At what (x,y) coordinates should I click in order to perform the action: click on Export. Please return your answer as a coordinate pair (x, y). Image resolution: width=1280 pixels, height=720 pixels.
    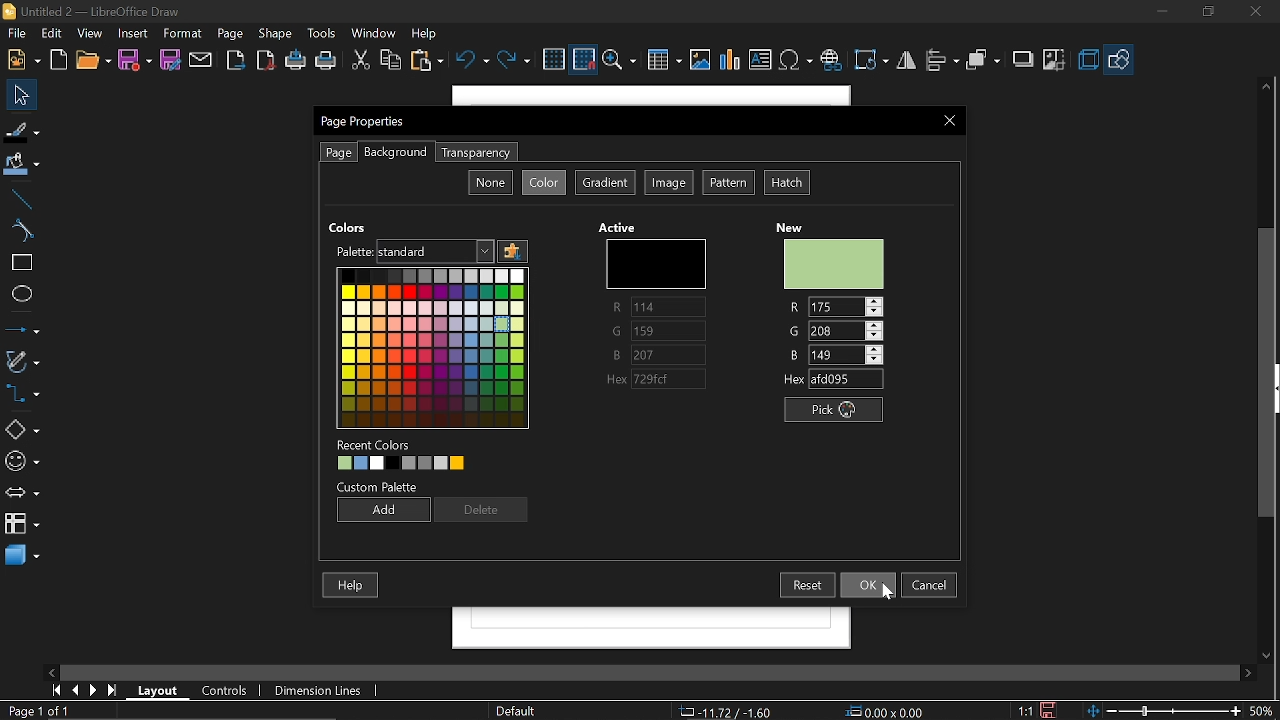
    Looking at the image, I should click on (238, 60).